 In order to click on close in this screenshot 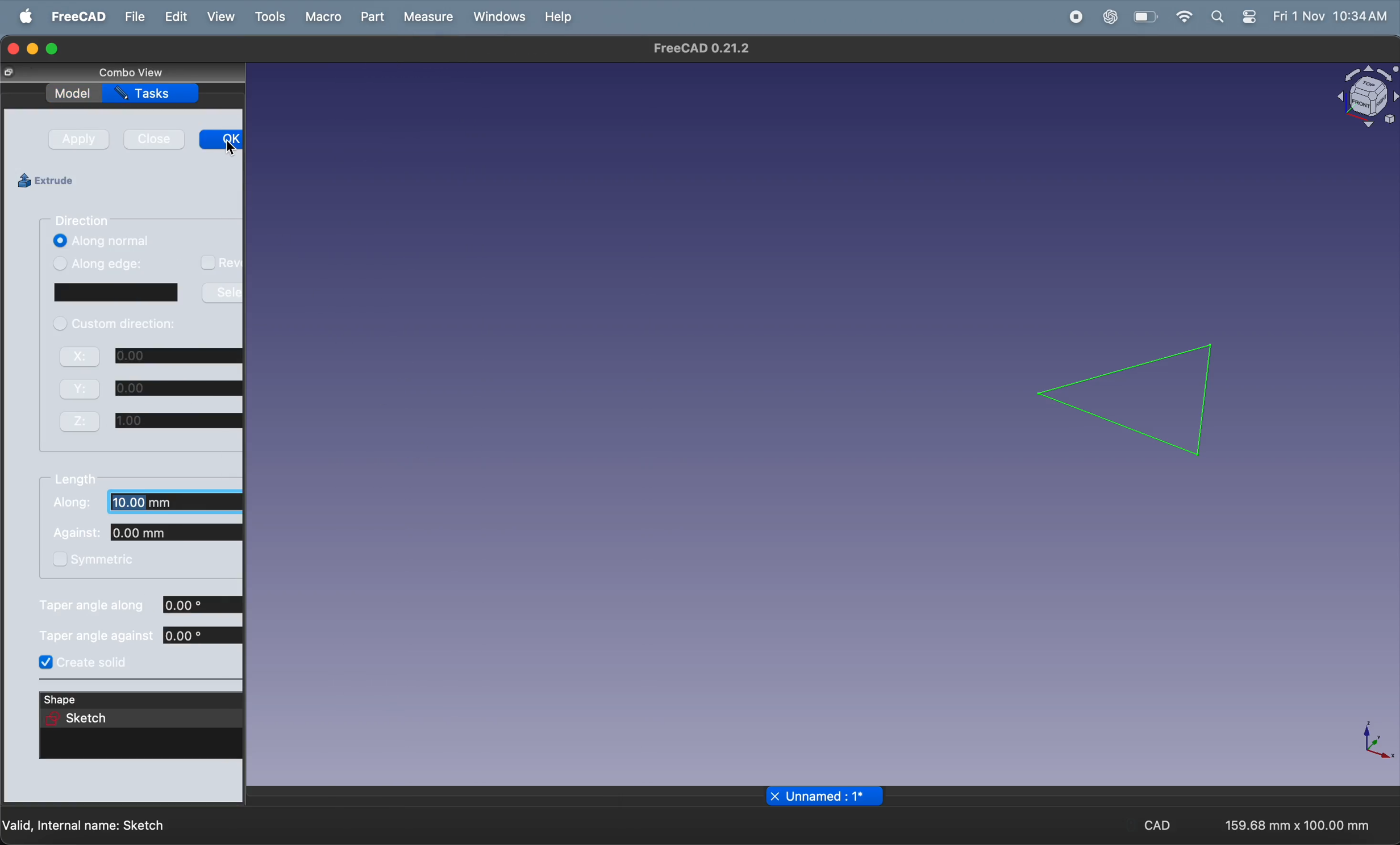, I will do `click(774, 796)`.